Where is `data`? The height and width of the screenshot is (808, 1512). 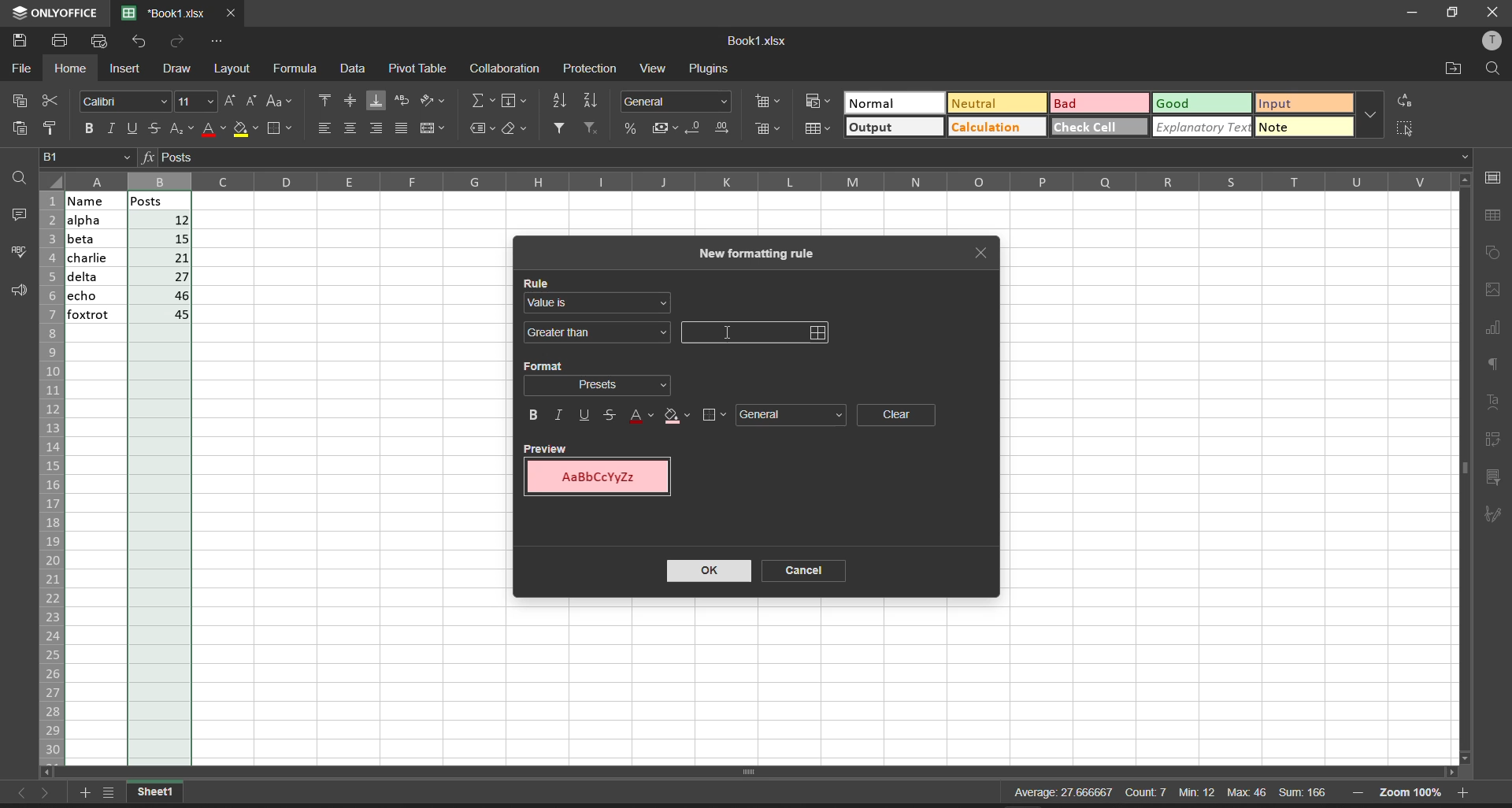
data is located at coordinates (356, 69).